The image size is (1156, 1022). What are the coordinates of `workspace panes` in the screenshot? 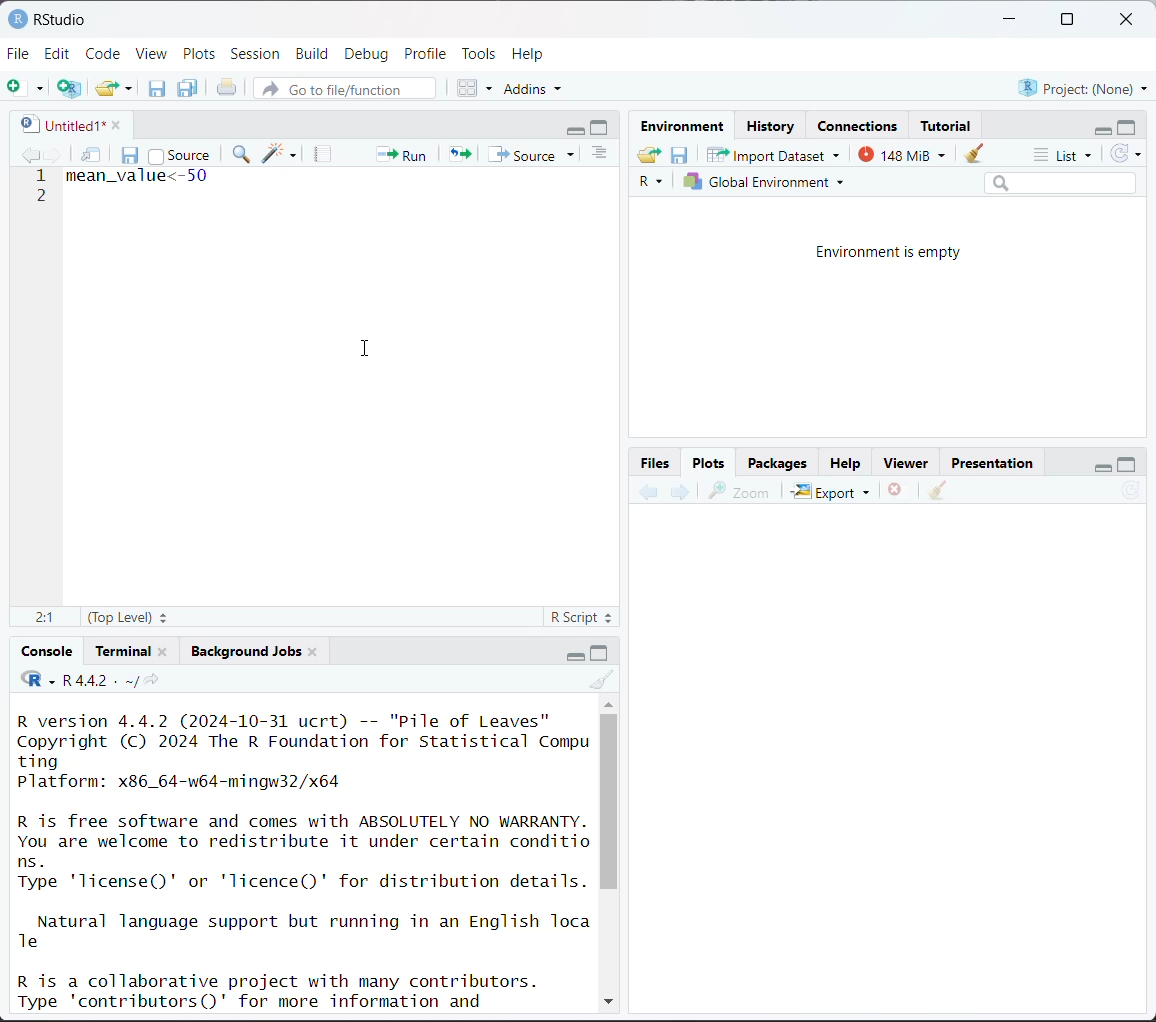 It's located at (476, 87).